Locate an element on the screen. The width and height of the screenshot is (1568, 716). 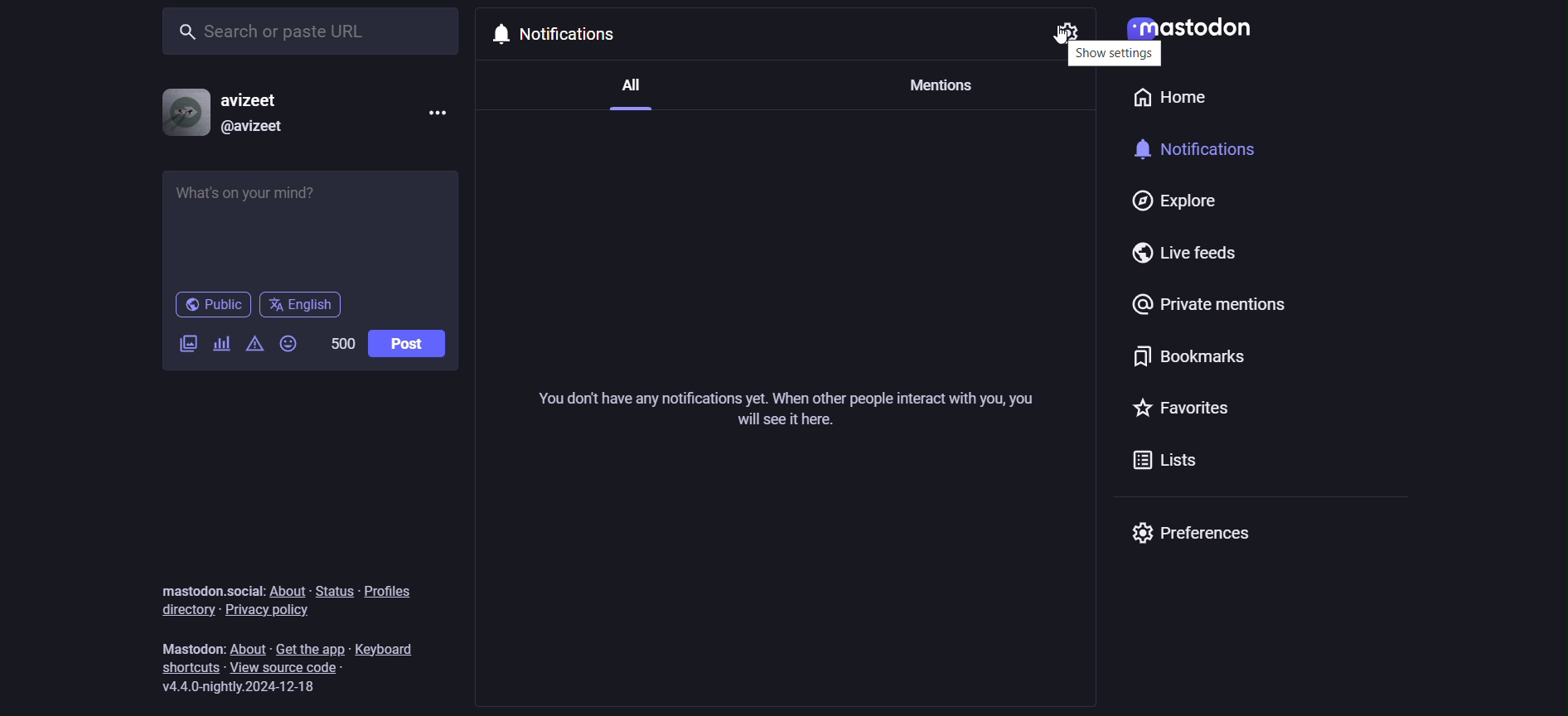
privacy policy is located at coordinates (270, 611).